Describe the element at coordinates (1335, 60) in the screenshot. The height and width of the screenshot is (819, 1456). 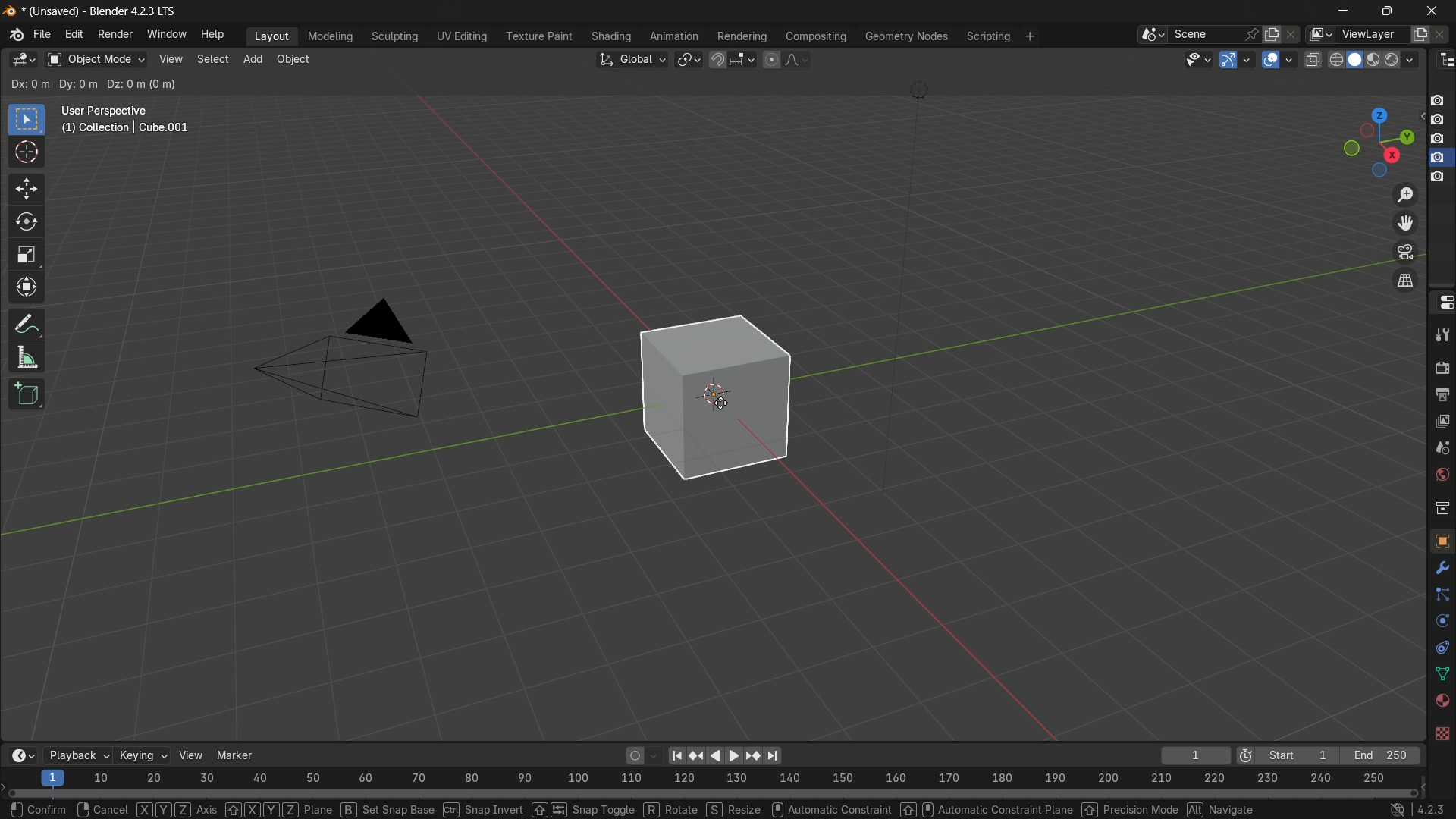
I see `wireframe display` at that location.